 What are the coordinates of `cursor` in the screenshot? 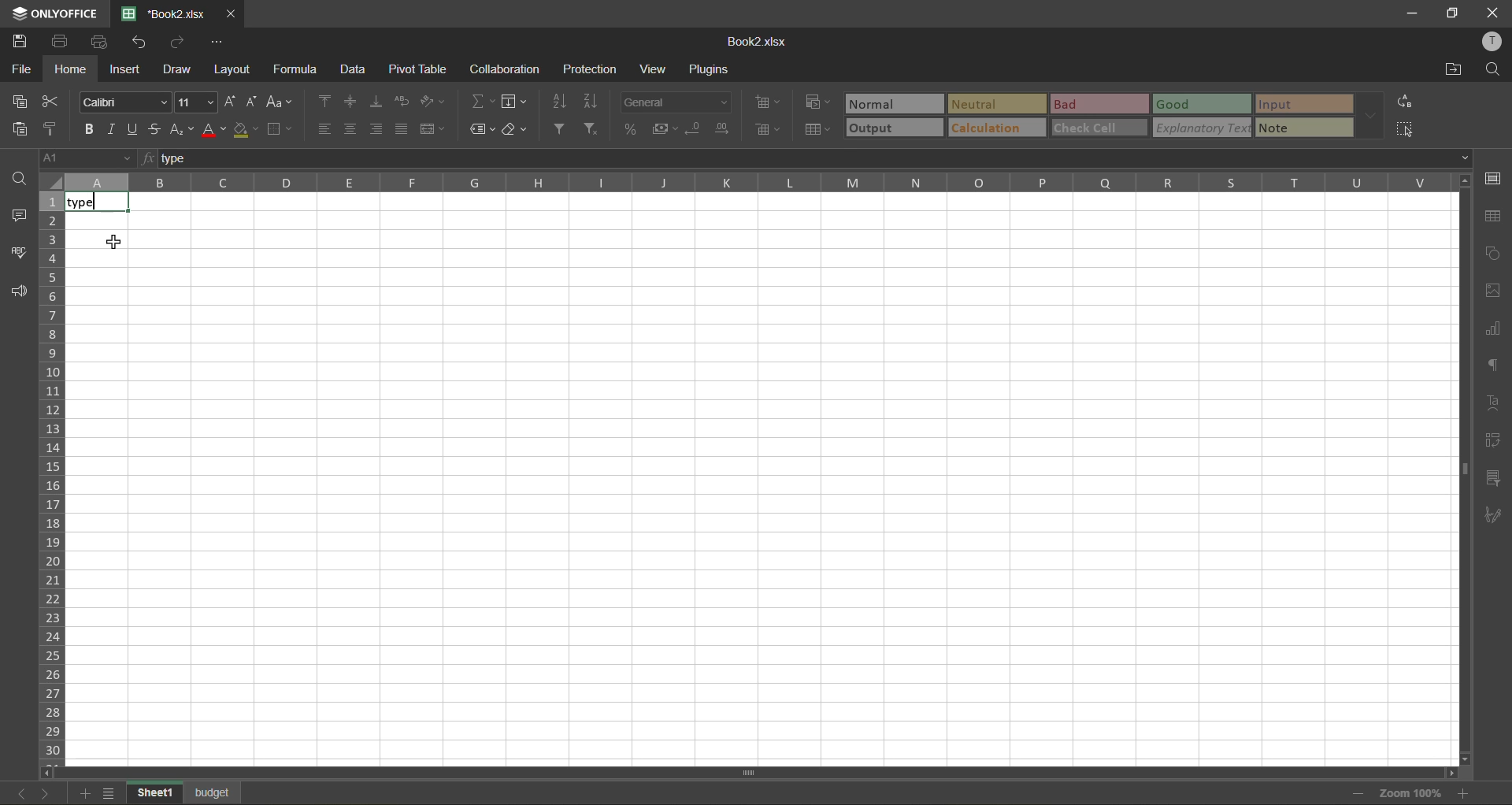 It's located at (113, 244).